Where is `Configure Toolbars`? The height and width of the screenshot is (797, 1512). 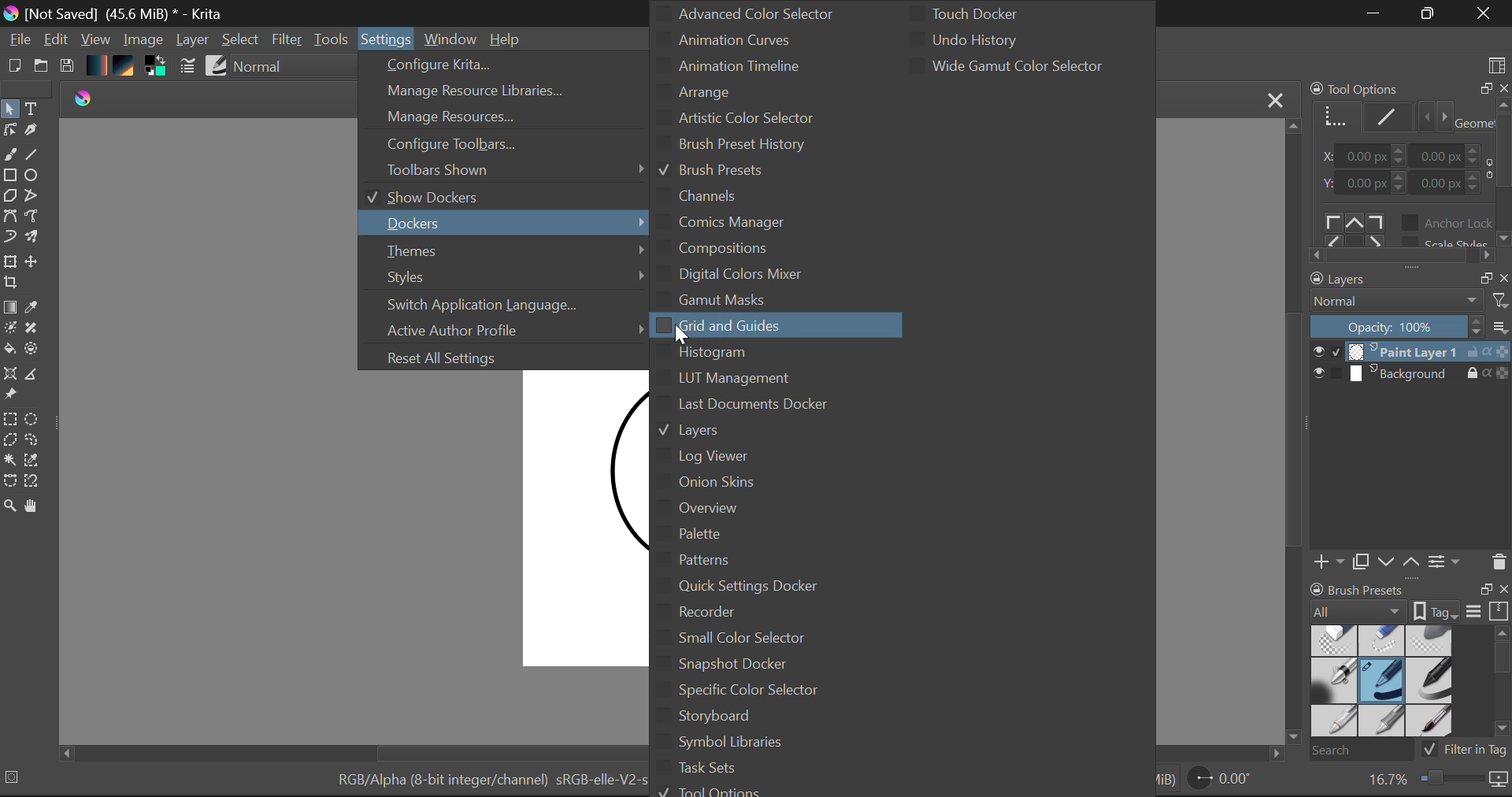 Configure Toolbars is located at coordinates (498, 144).